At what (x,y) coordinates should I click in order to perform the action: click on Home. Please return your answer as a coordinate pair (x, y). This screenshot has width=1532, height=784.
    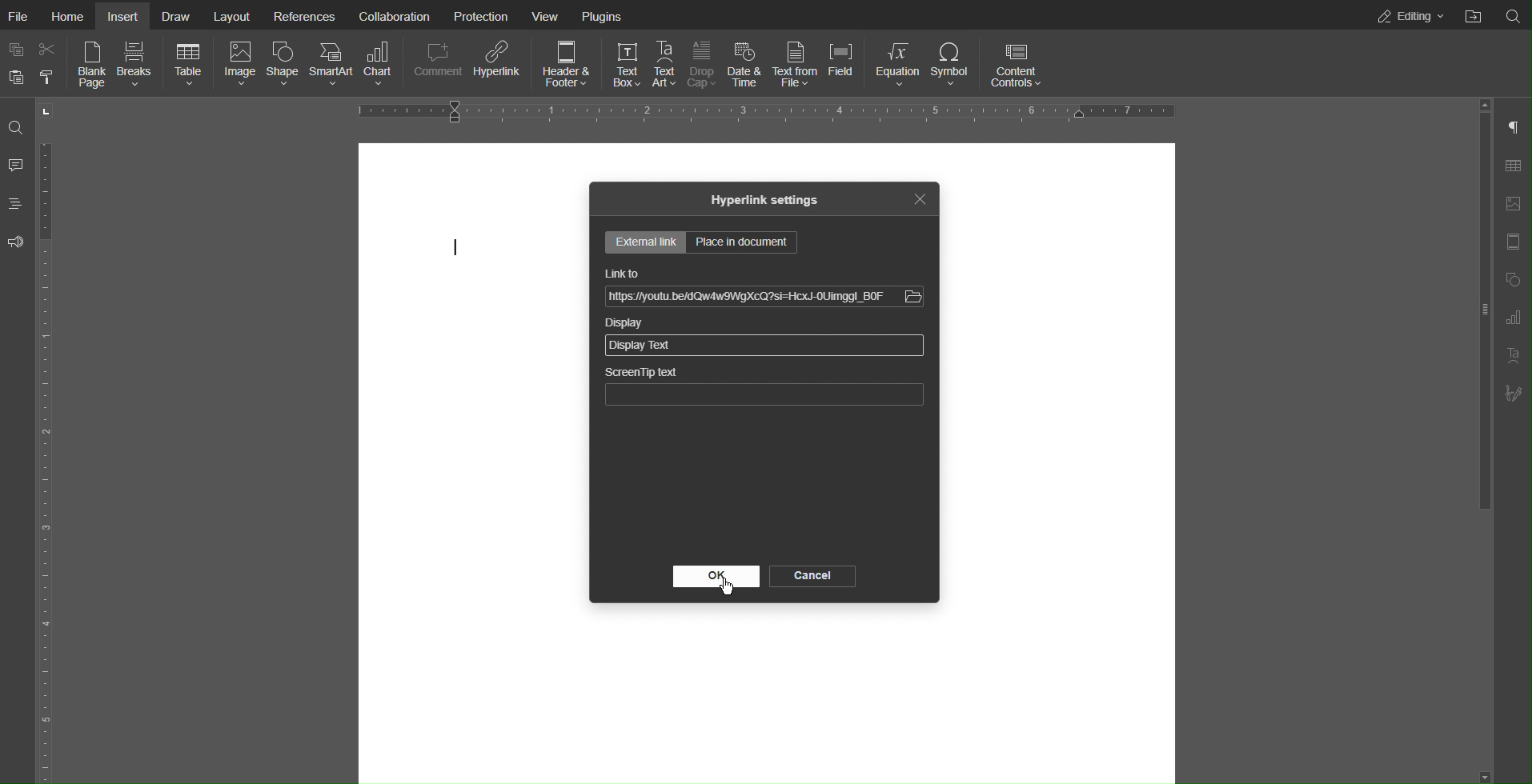
    Looking at the image, I should click on (71, 16).